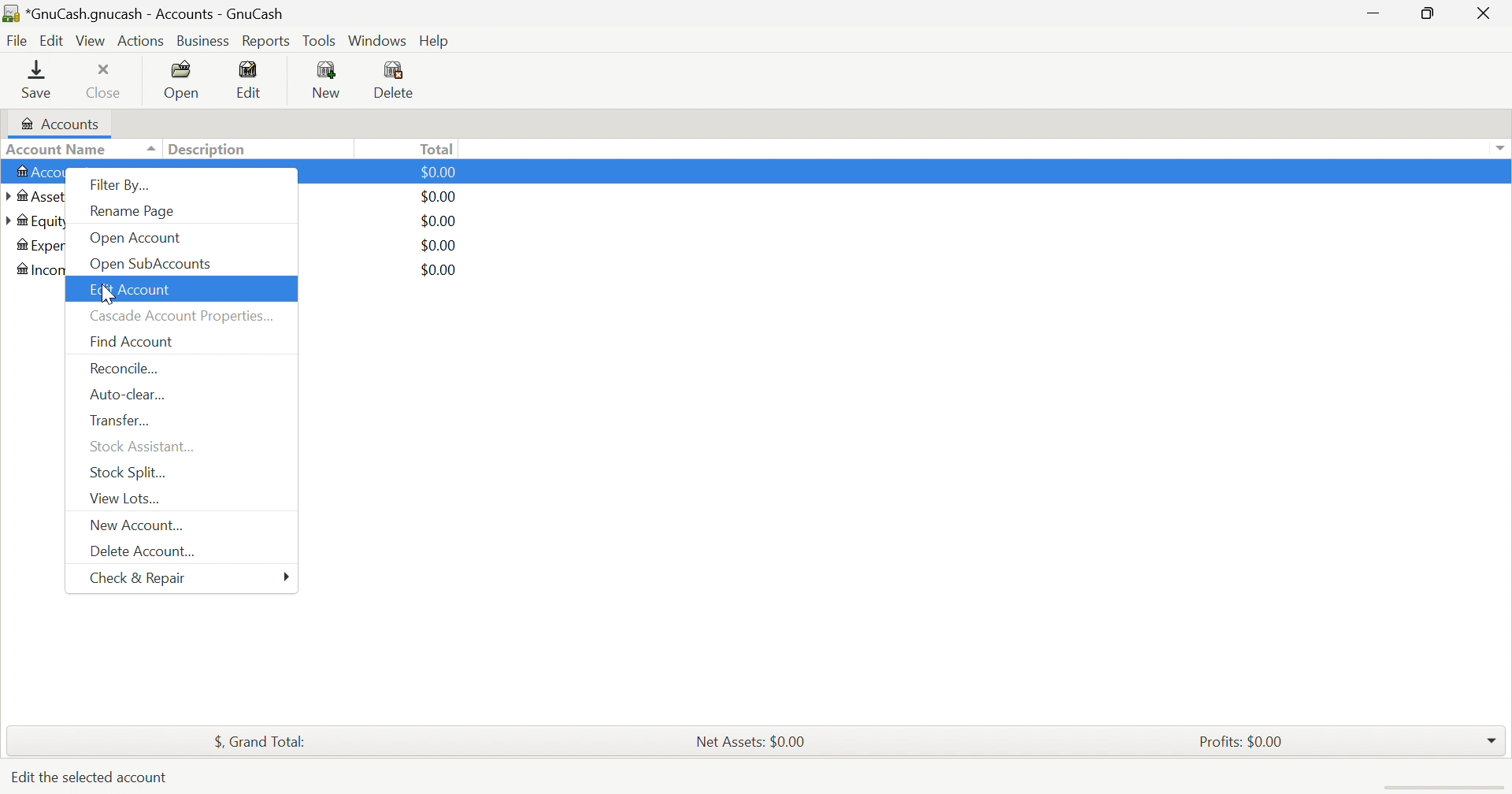  Describe the element at coordinates (39, 246) in the screenshot. I see `Expenses` at that location.